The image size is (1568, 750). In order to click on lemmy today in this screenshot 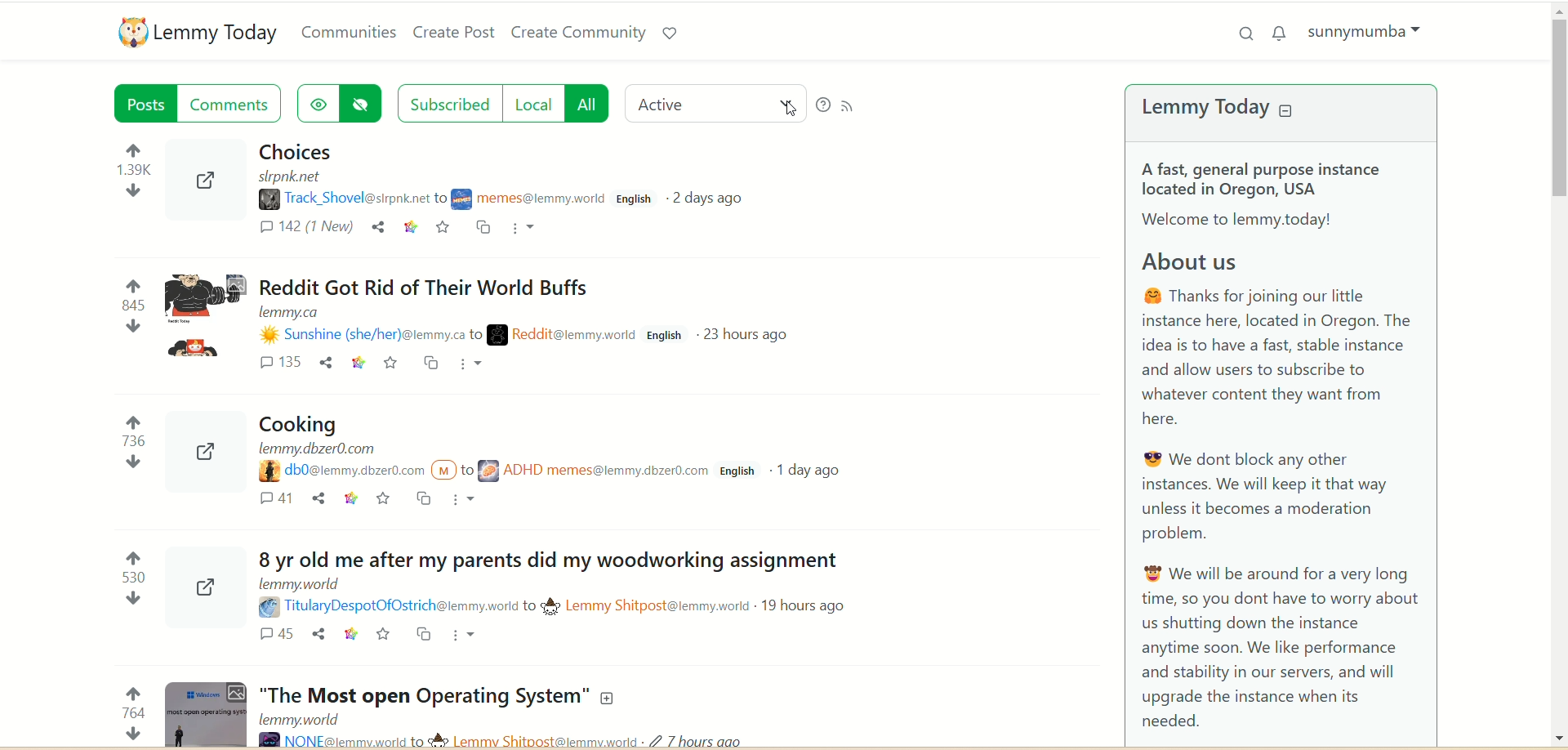, I will do `click(1231, 110)`.